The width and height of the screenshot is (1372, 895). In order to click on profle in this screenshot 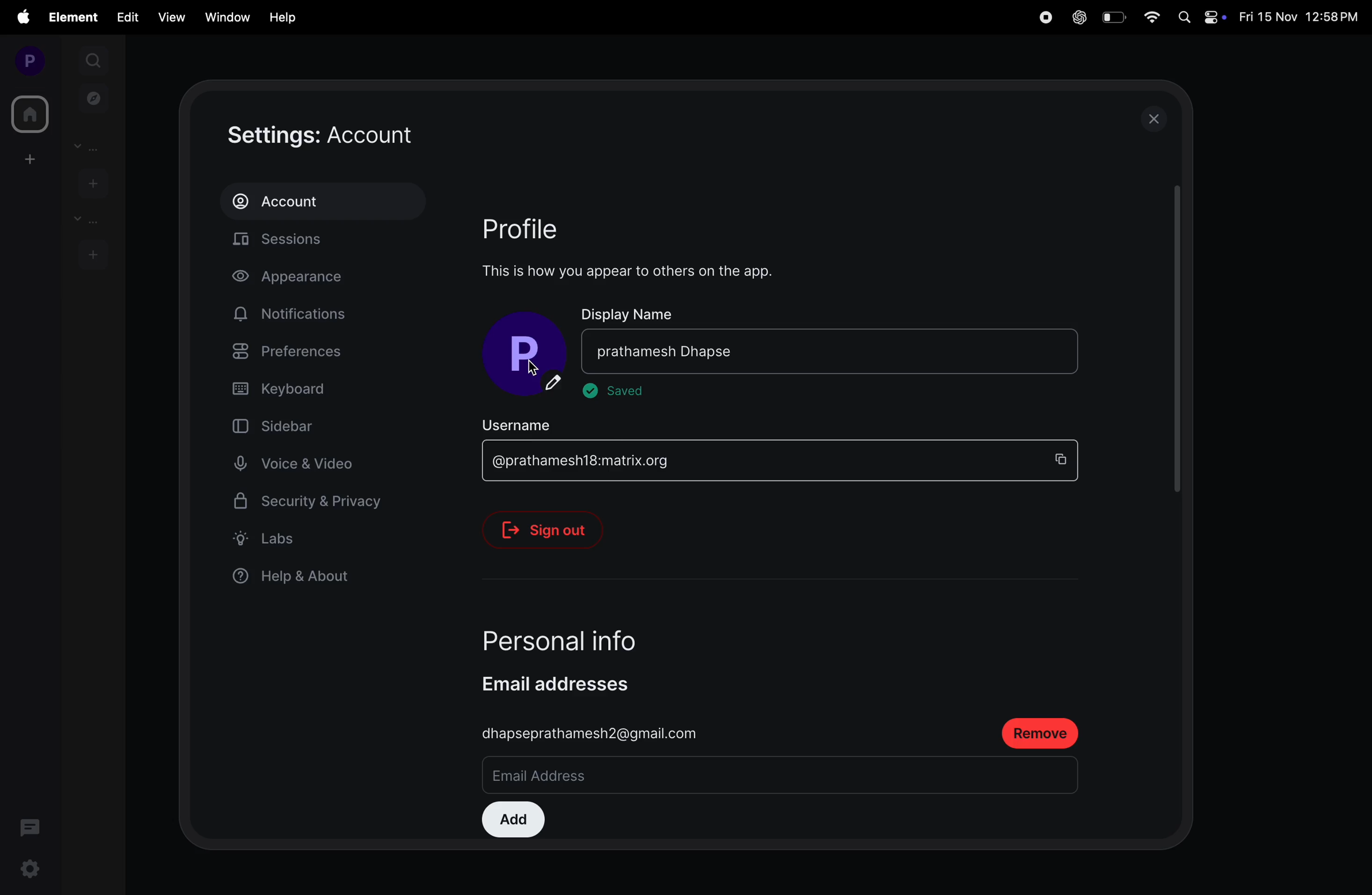, I will do `click(537, 227)`.